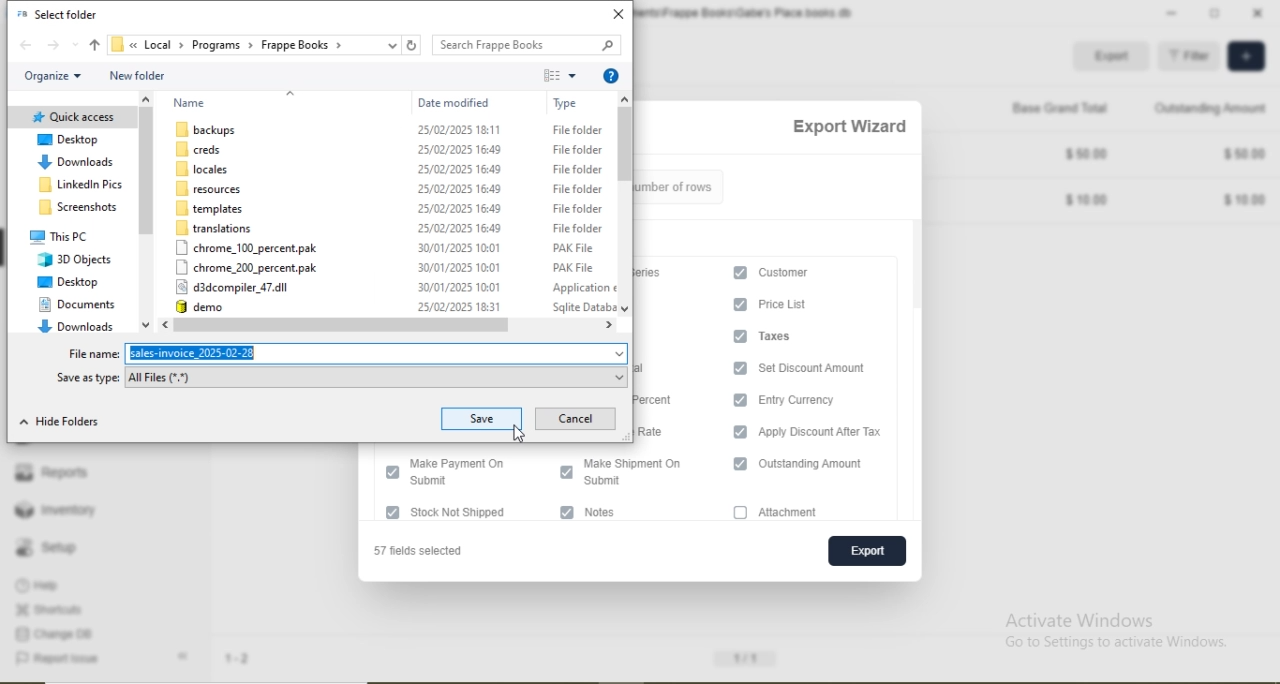 This screenshot has width=1280, height=684. I want to click on 25/02/2025 16:49, so click(458, 147).